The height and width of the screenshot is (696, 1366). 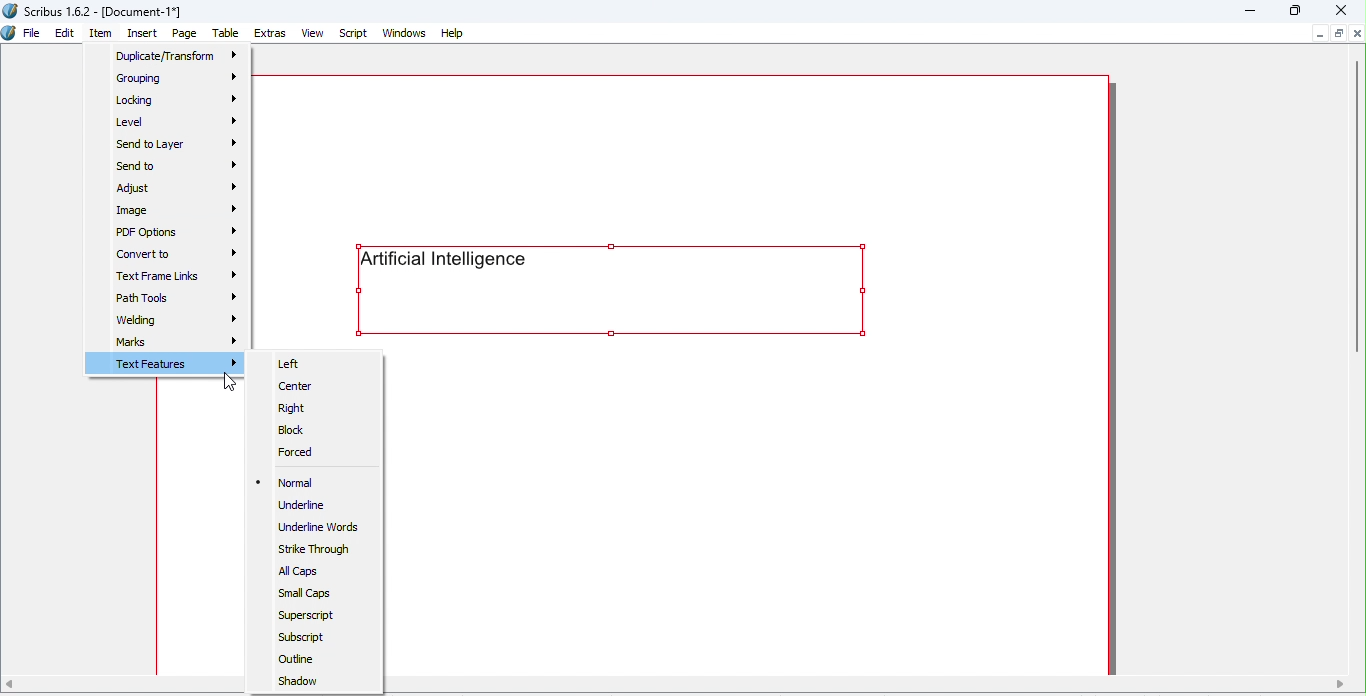 What do you see at coordinates (1340, 684) in the screenshot?
I see `move right` at bounding box center [1340, 684].